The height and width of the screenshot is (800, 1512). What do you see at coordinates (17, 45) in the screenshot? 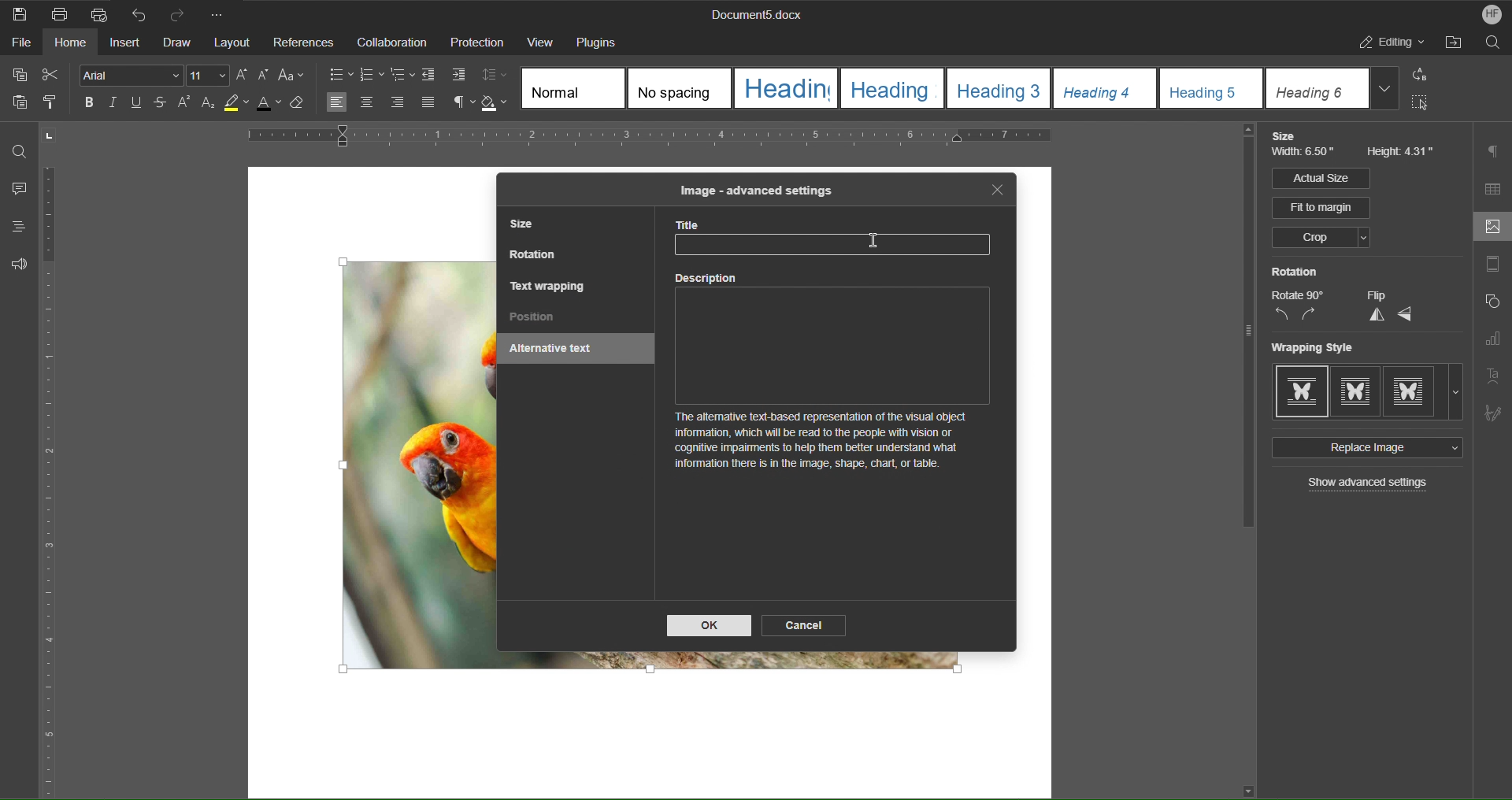
I see `File` at bounding box center [17, 45].